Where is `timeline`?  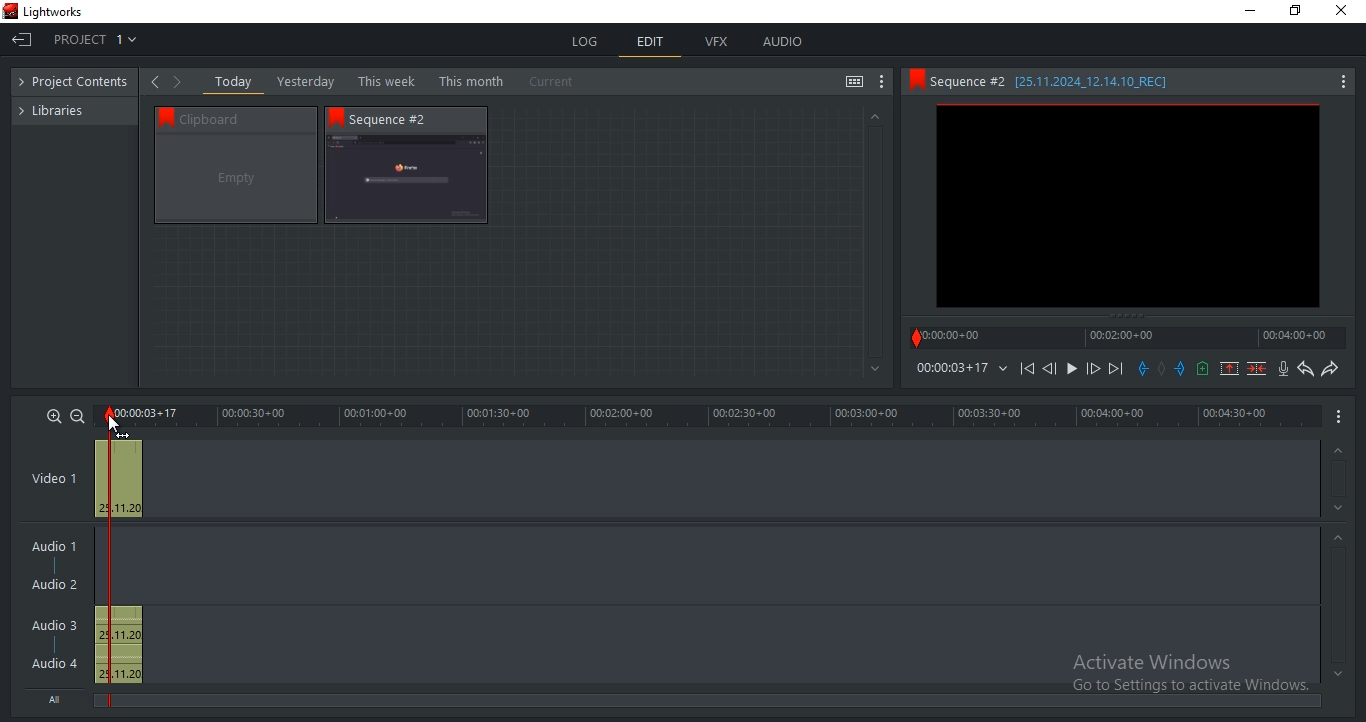
timeline is located at coordinates (710, 416).